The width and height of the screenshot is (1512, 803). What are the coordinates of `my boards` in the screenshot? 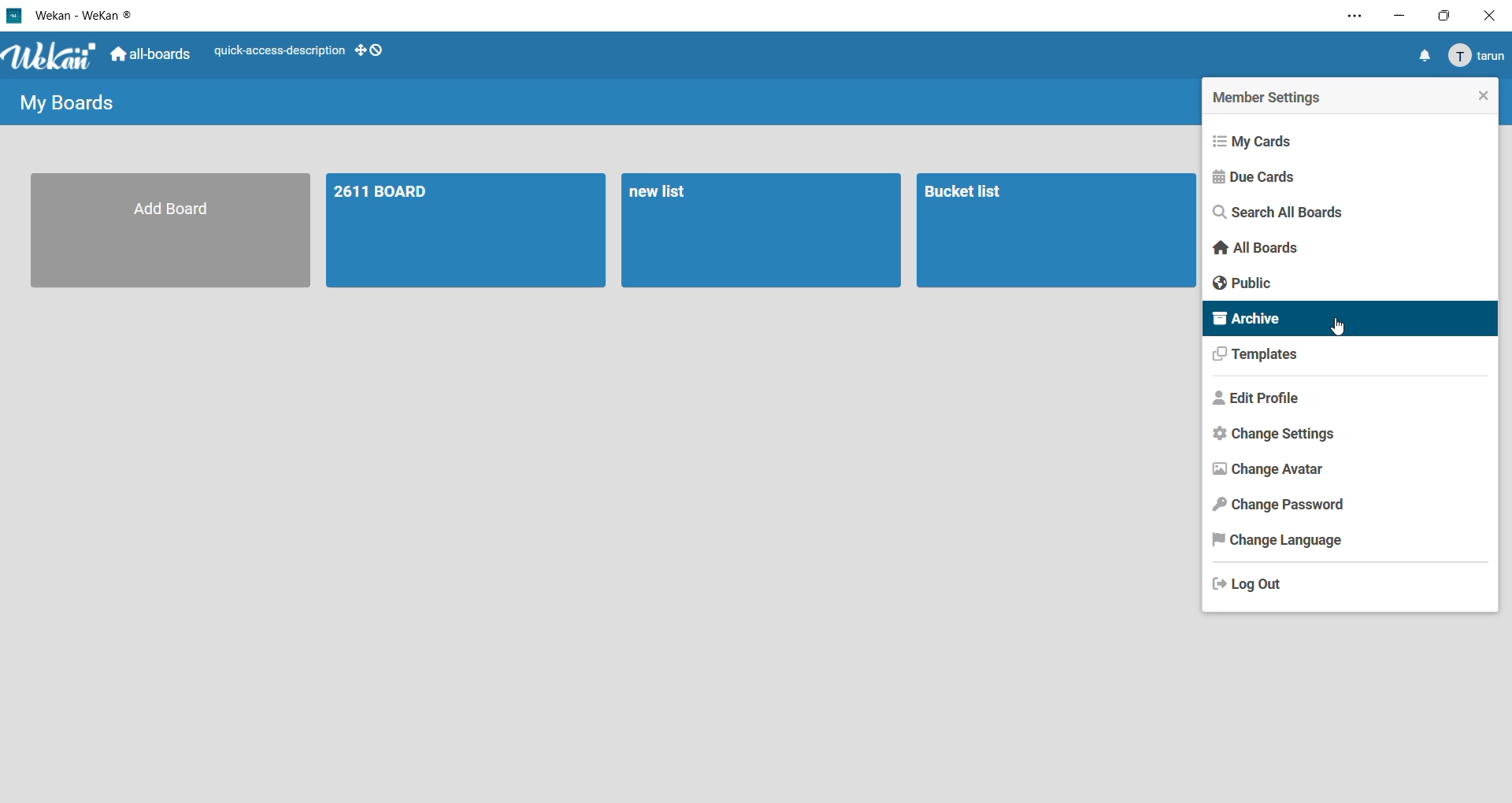 It's located at (61, 103).